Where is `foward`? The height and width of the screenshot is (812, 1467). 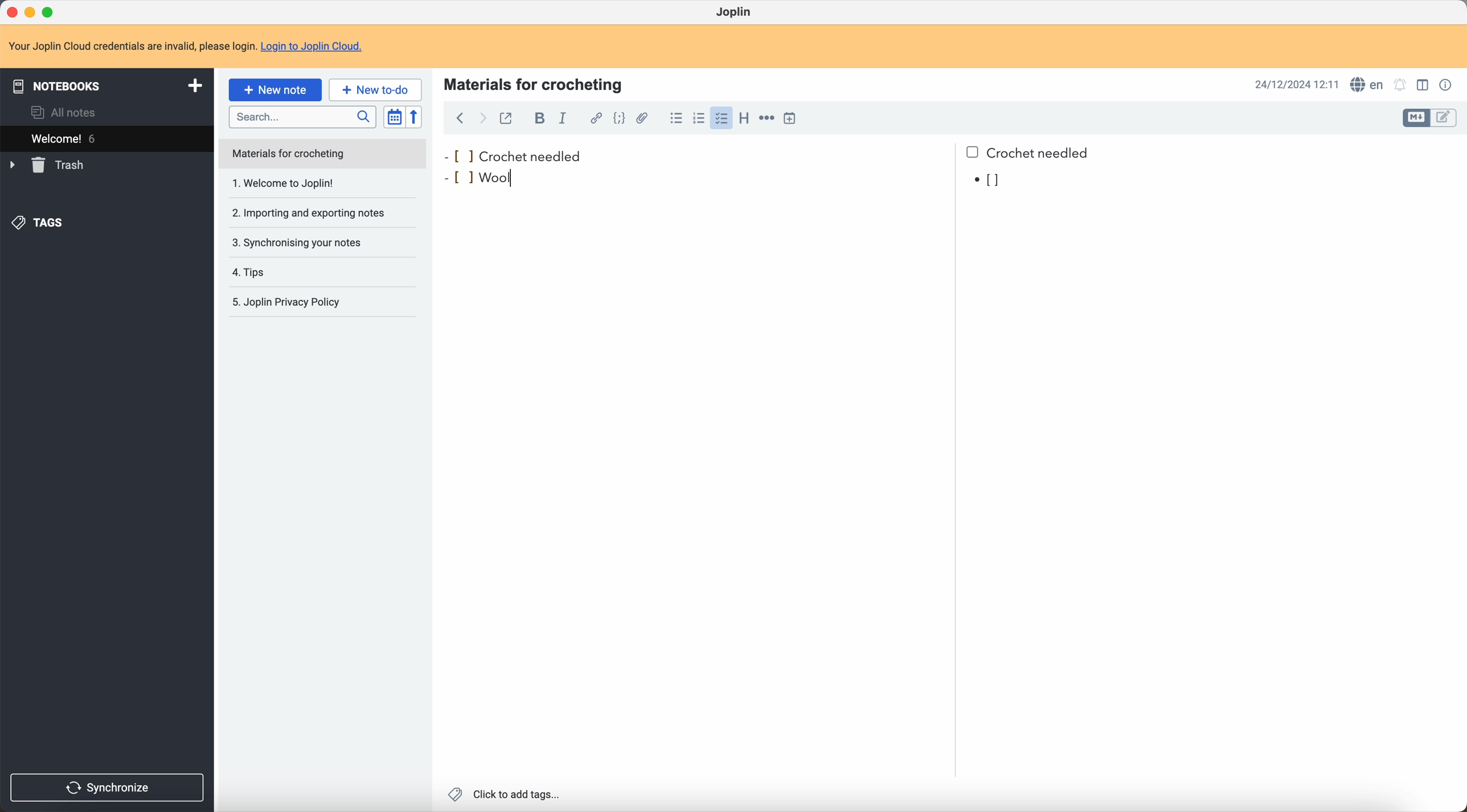
foward is located at coordinates (481, 120).